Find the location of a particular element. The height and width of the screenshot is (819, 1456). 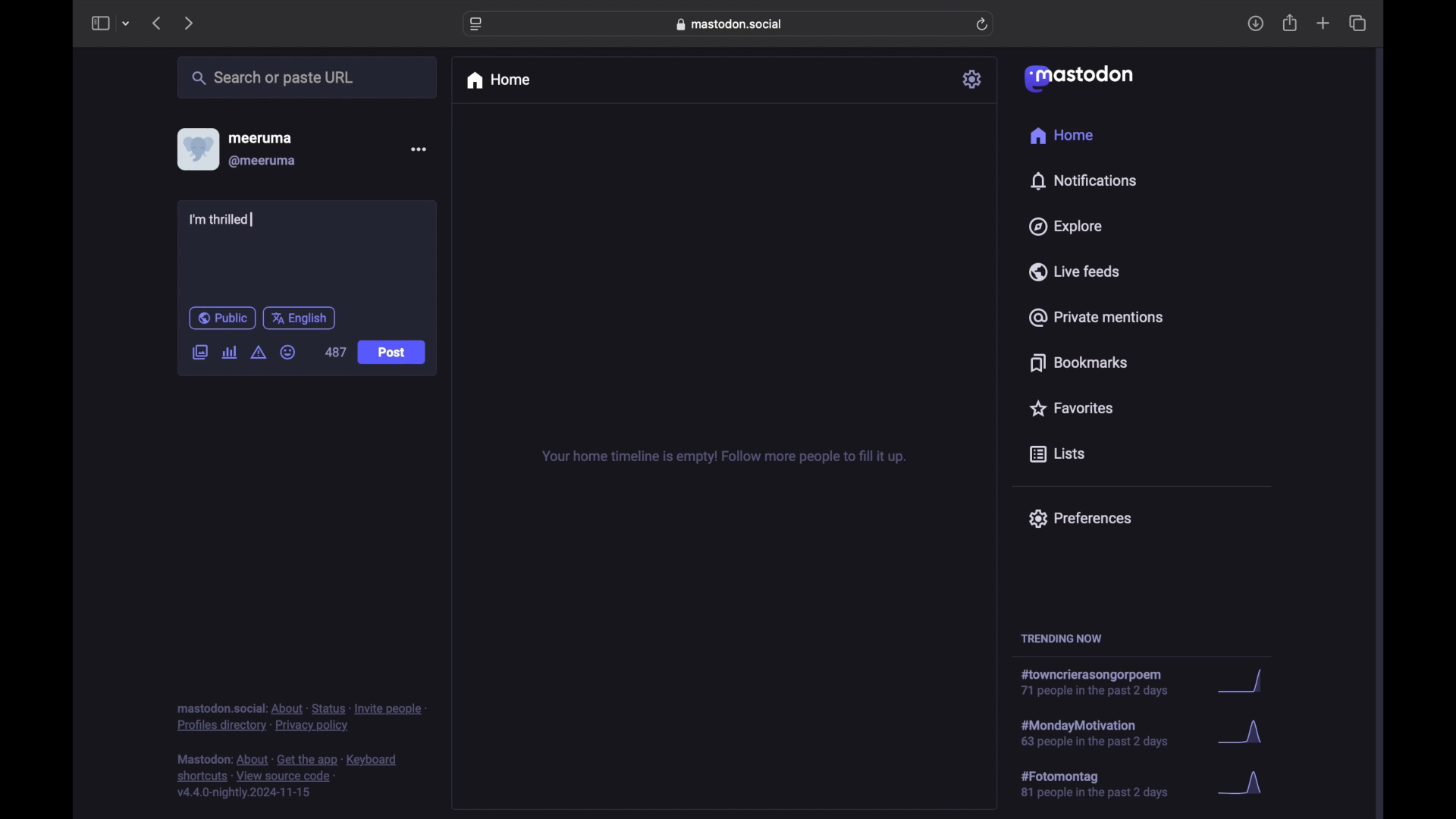

text cursor is located at coordinates (251, 220).